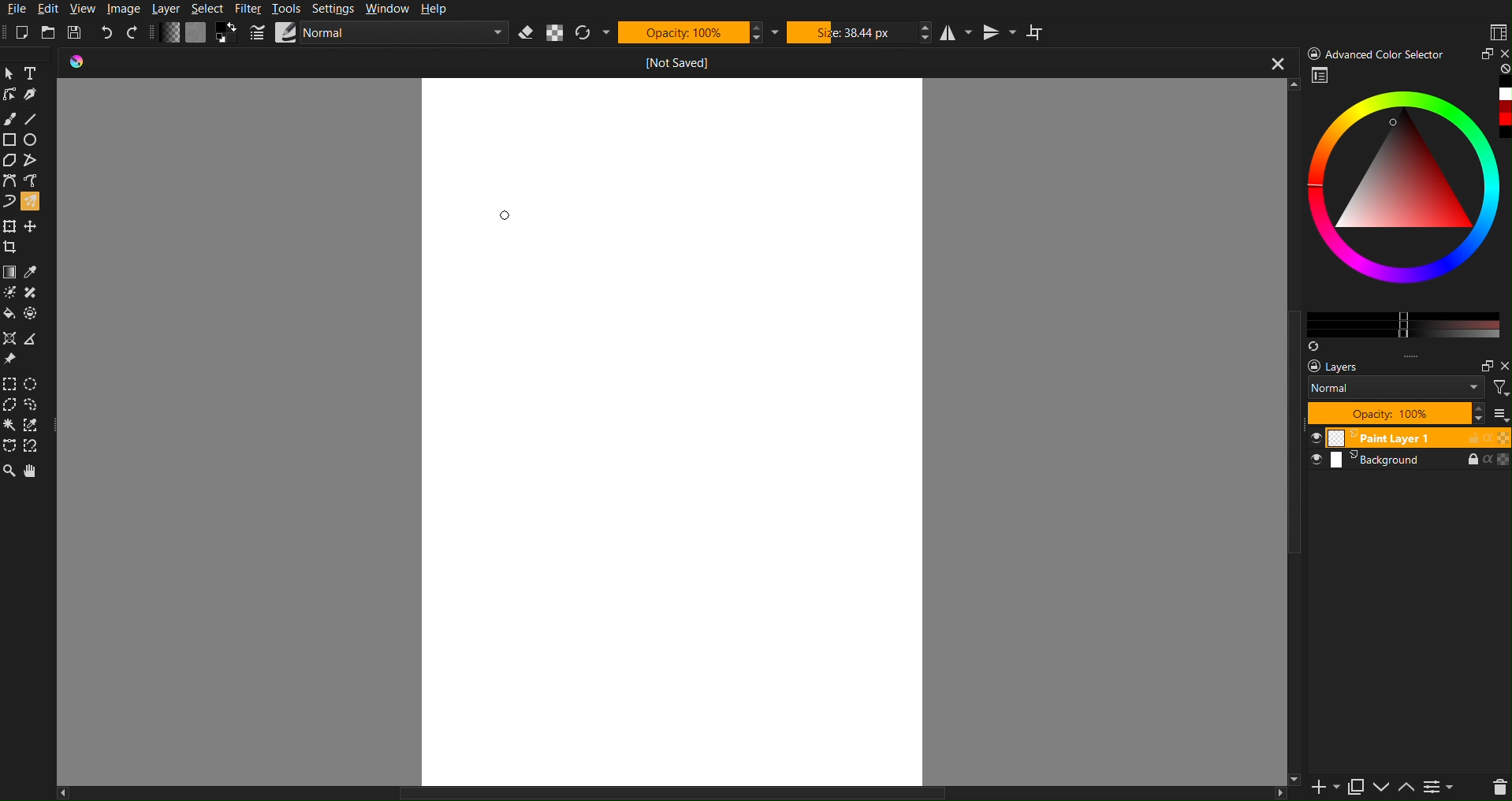 The image size is (1512, 801). Describe the element at coordinates (1424, 356) in the screenshot. I see `more` at that location.